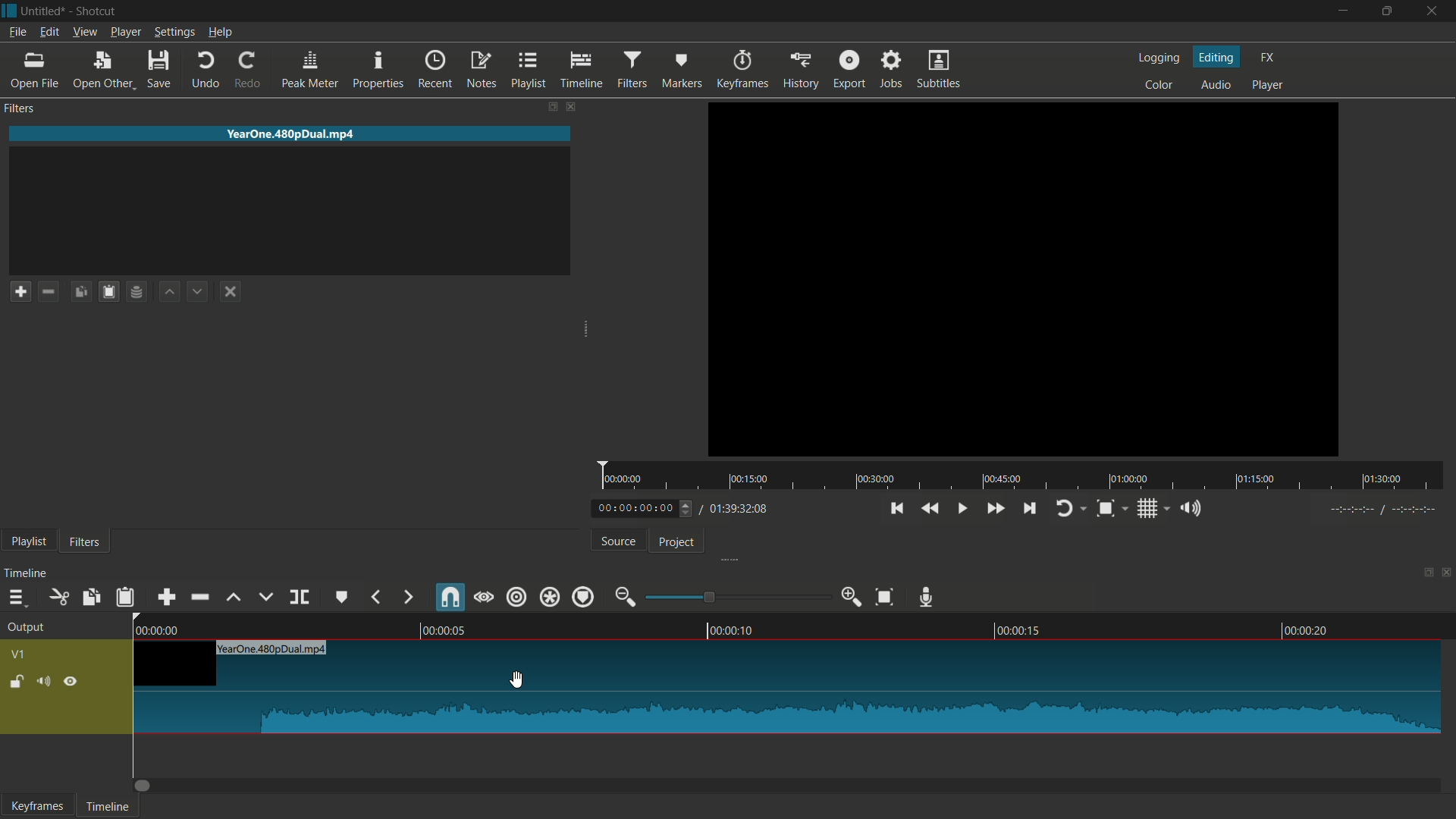  Describe the element at coordinates (959, 508) in the screenshot. I see `toggle play or pause` at that location.